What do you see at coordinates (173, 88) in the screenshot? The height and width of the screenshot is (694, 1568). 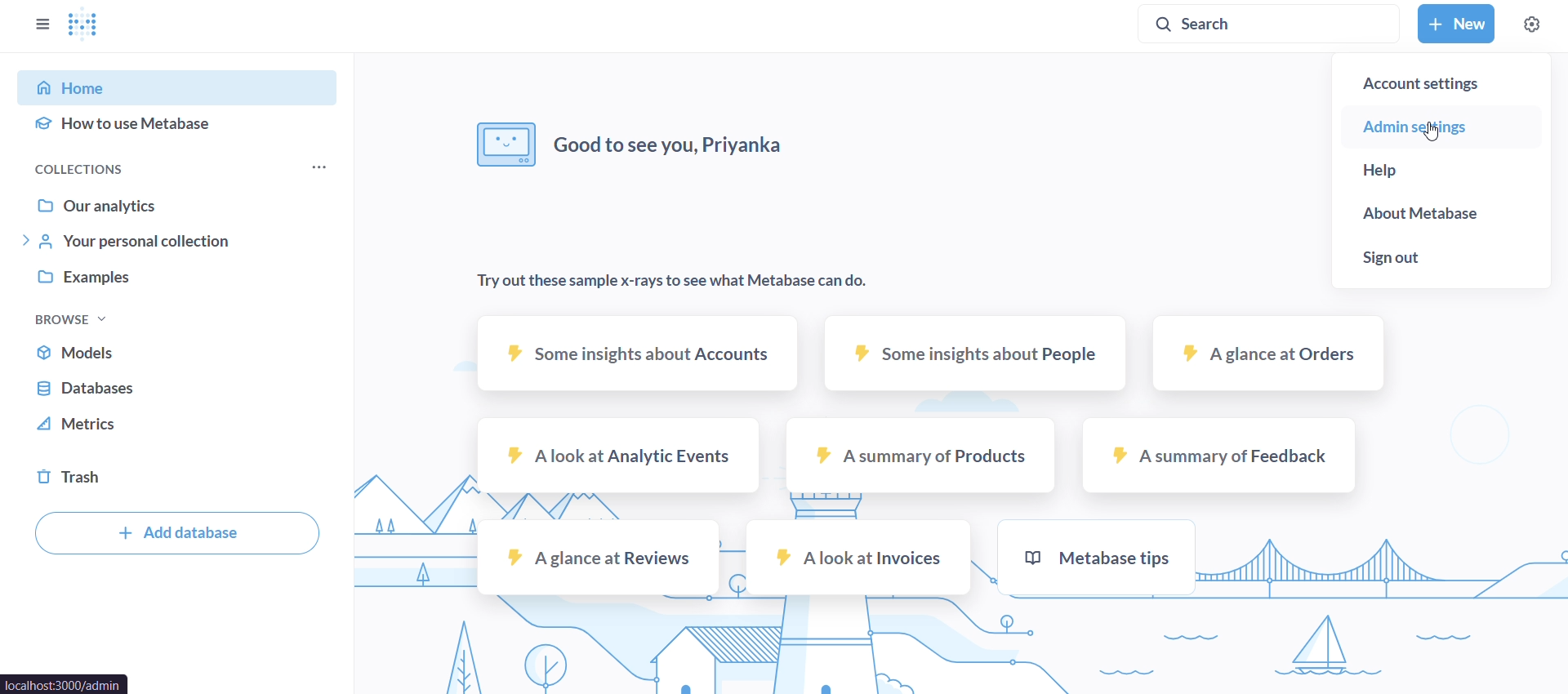 I see `home` at bounding box center [173, 88].